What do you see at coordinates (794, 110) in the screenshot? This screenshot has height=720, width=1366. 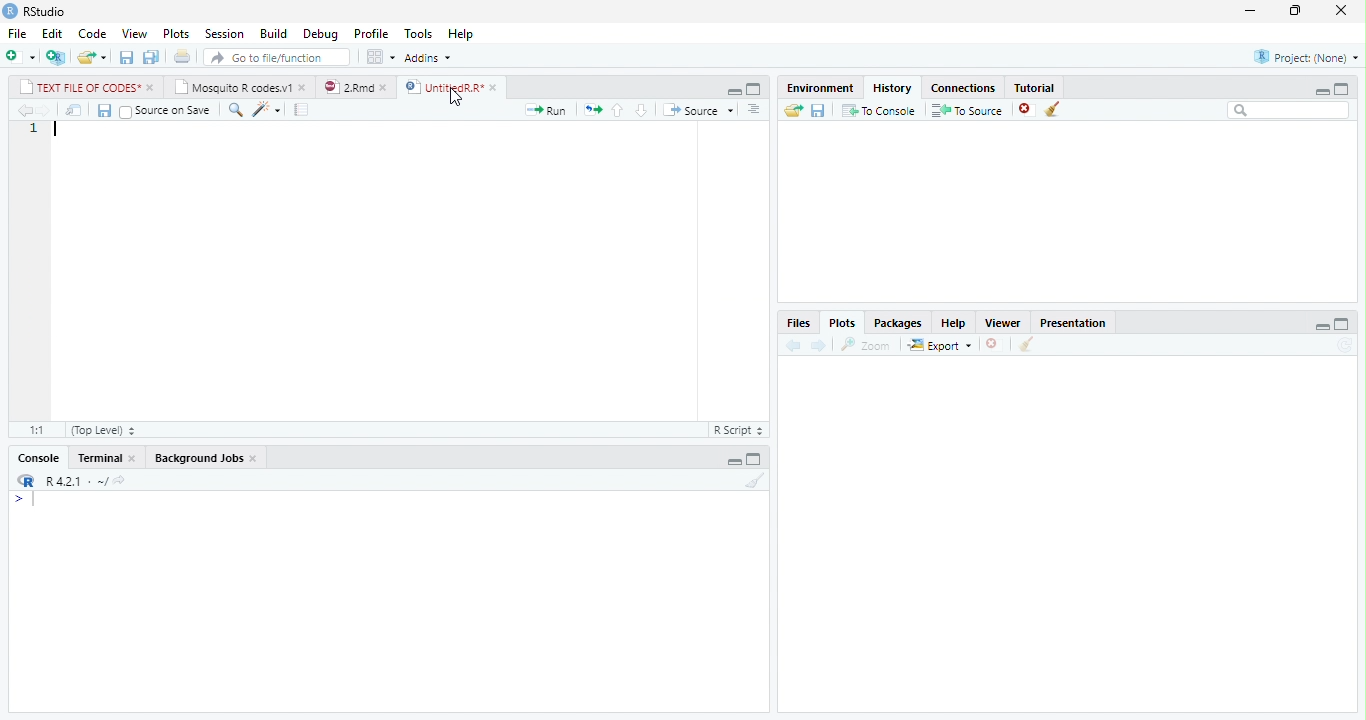 I see `open folder` at bounding box center [794, 110].